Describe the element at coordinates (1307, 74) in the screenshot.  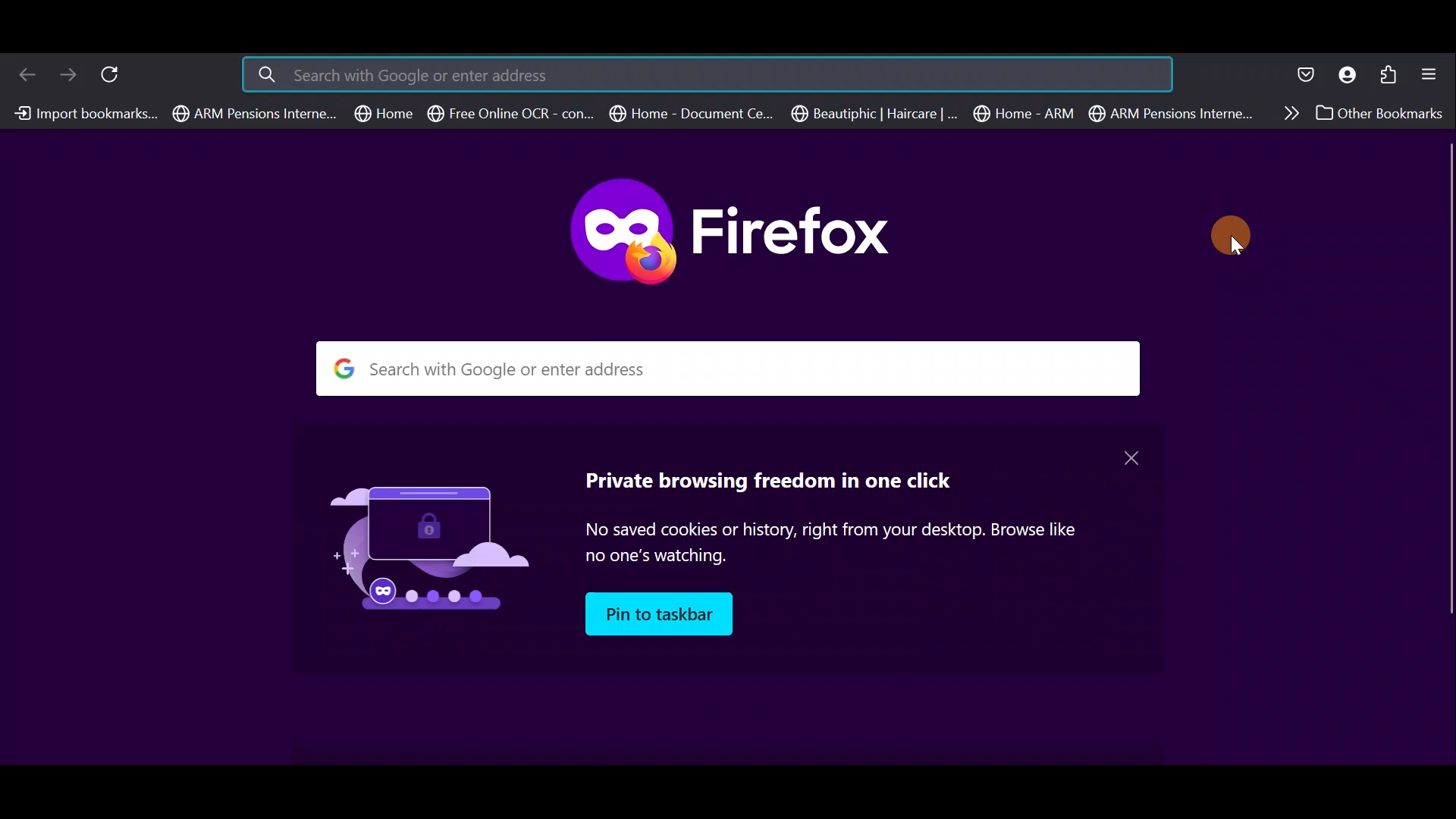
I see `Save to pocket` at that location.